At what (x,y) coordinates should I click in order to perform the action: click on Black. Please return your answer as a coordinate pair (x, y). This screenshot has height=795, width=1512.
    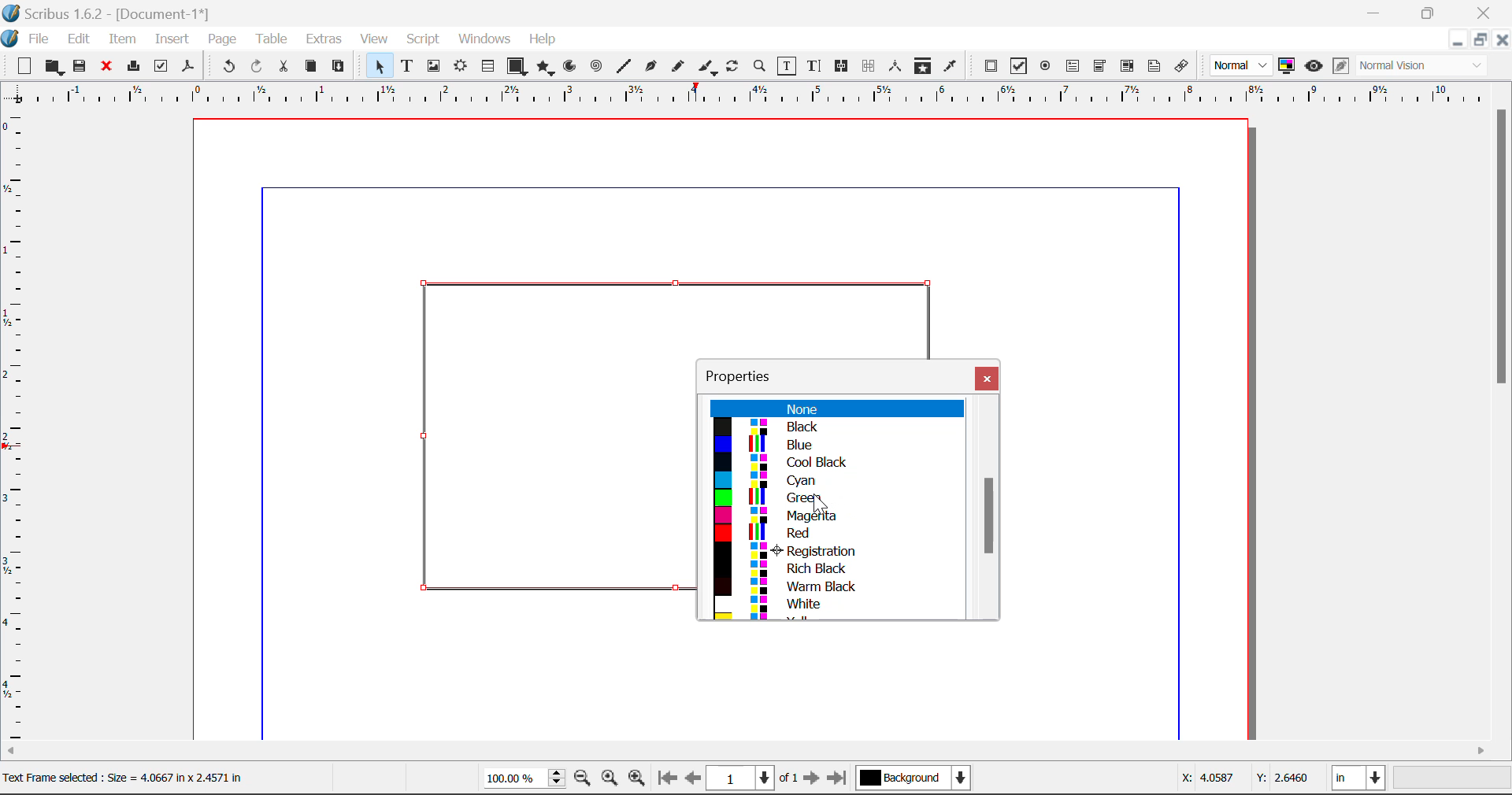
    Looking at the image, I should click on (835, 427).